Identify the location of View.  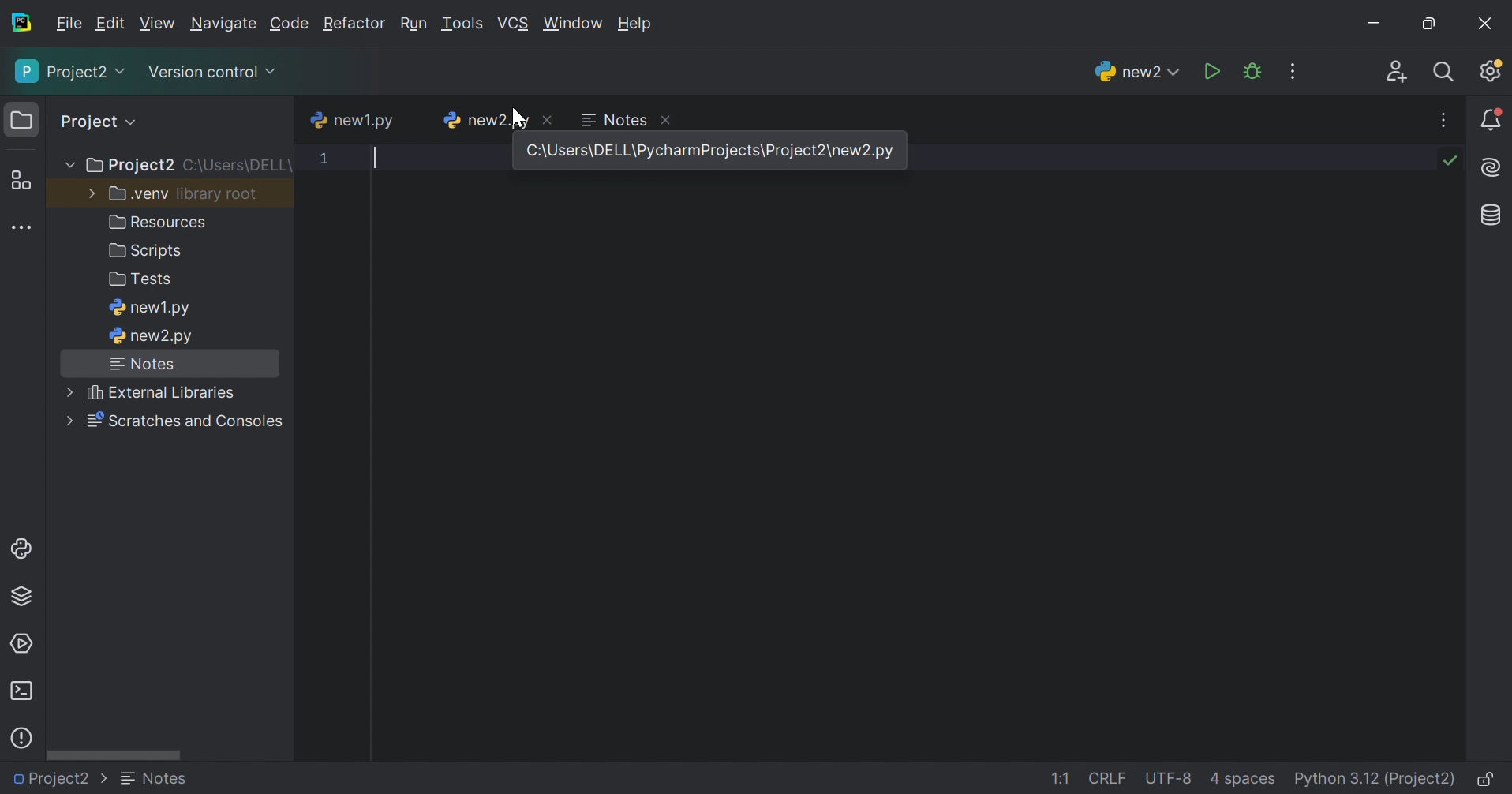
(157, 23).